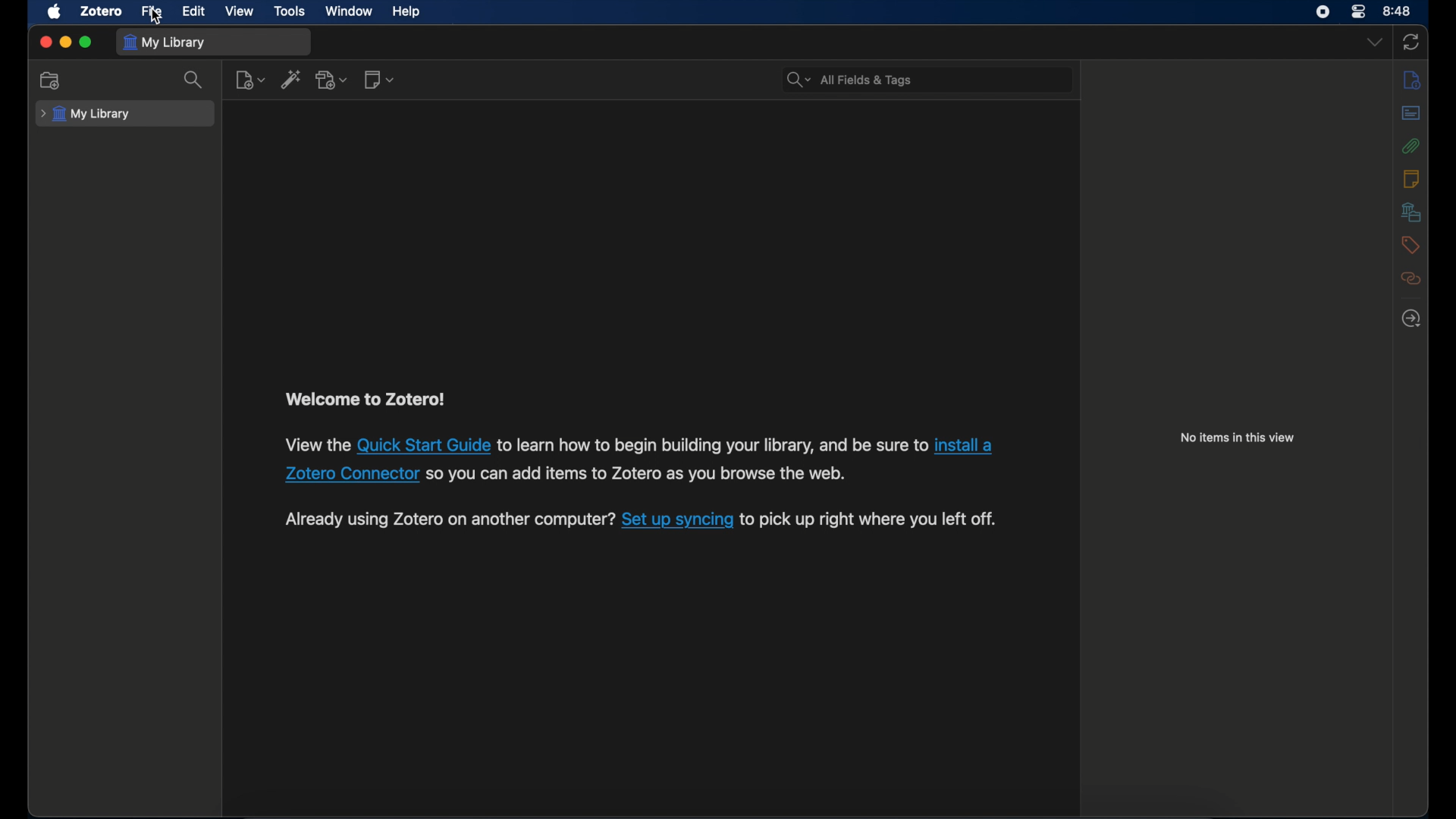  Describe the element at coordinates (164, 43) in the screenshot. I see `my library` at that location.